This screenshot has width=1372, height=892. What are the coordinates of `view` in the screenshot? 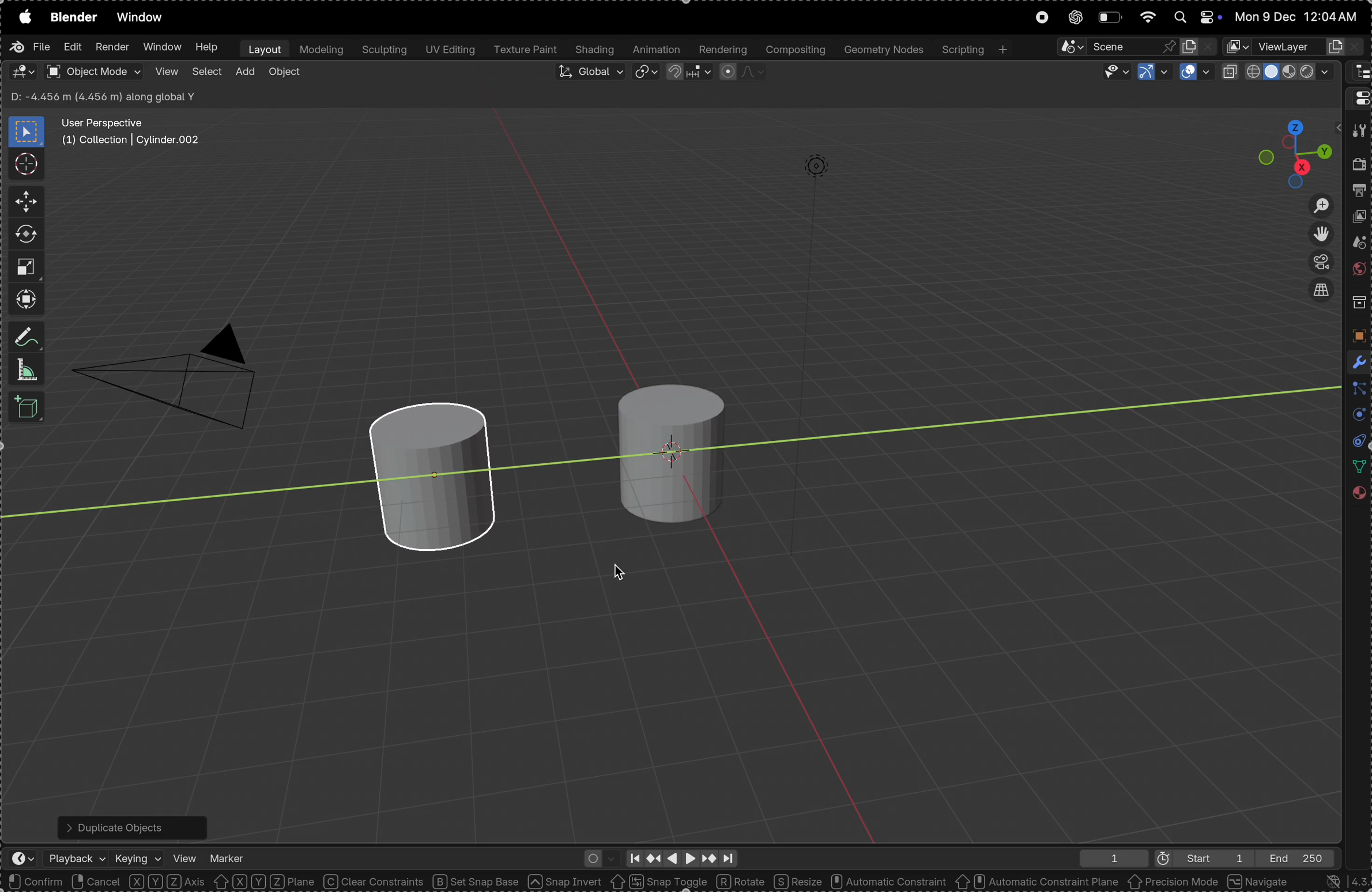 It's located at (184, 856).